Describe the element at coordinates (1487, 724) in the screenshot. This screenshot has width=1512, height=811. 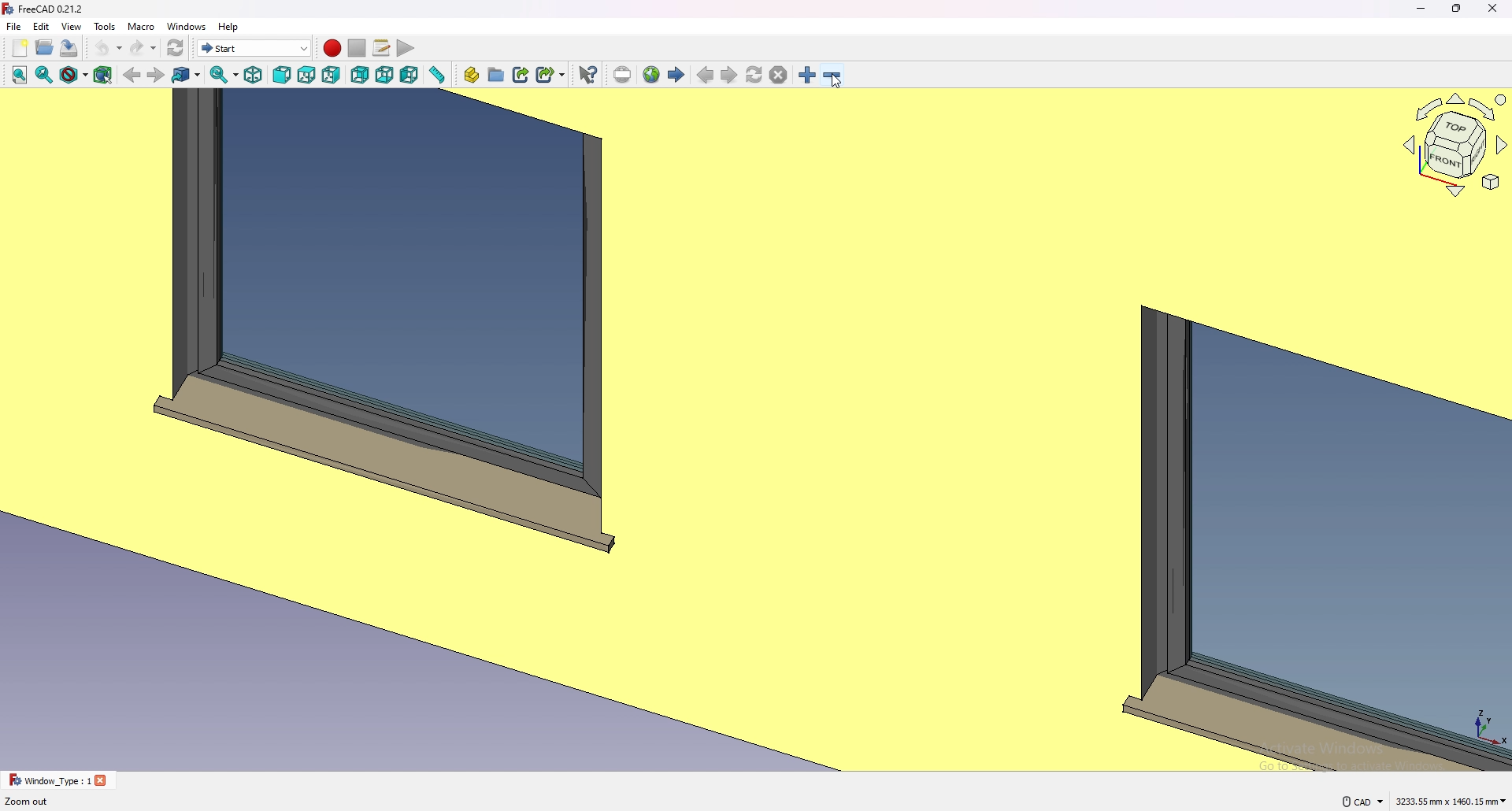
I see `axis` at that location.